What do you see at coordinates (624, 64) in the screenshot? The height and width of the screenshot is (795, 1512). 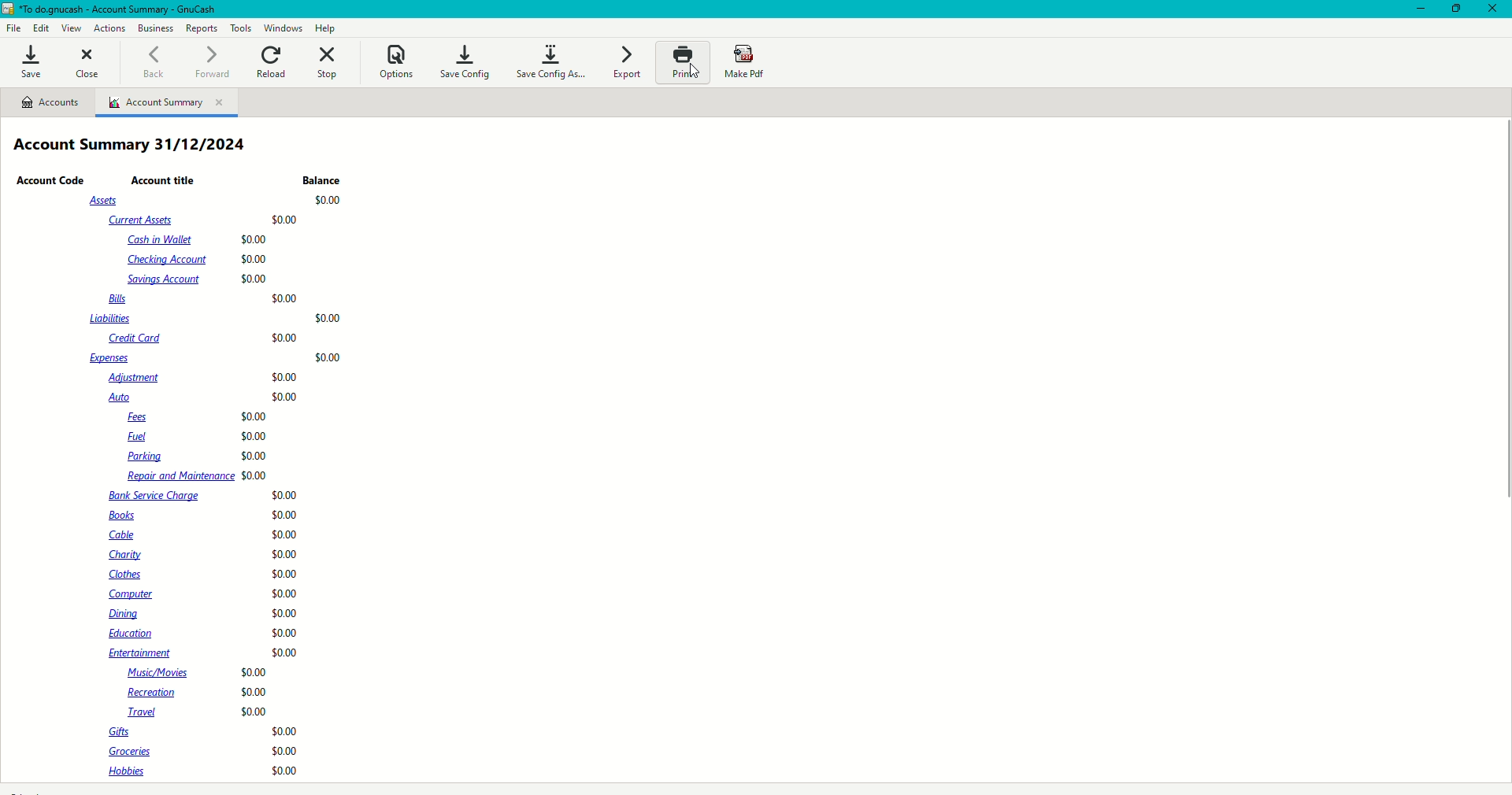 I see `Export` at bounding box center [624, 64].